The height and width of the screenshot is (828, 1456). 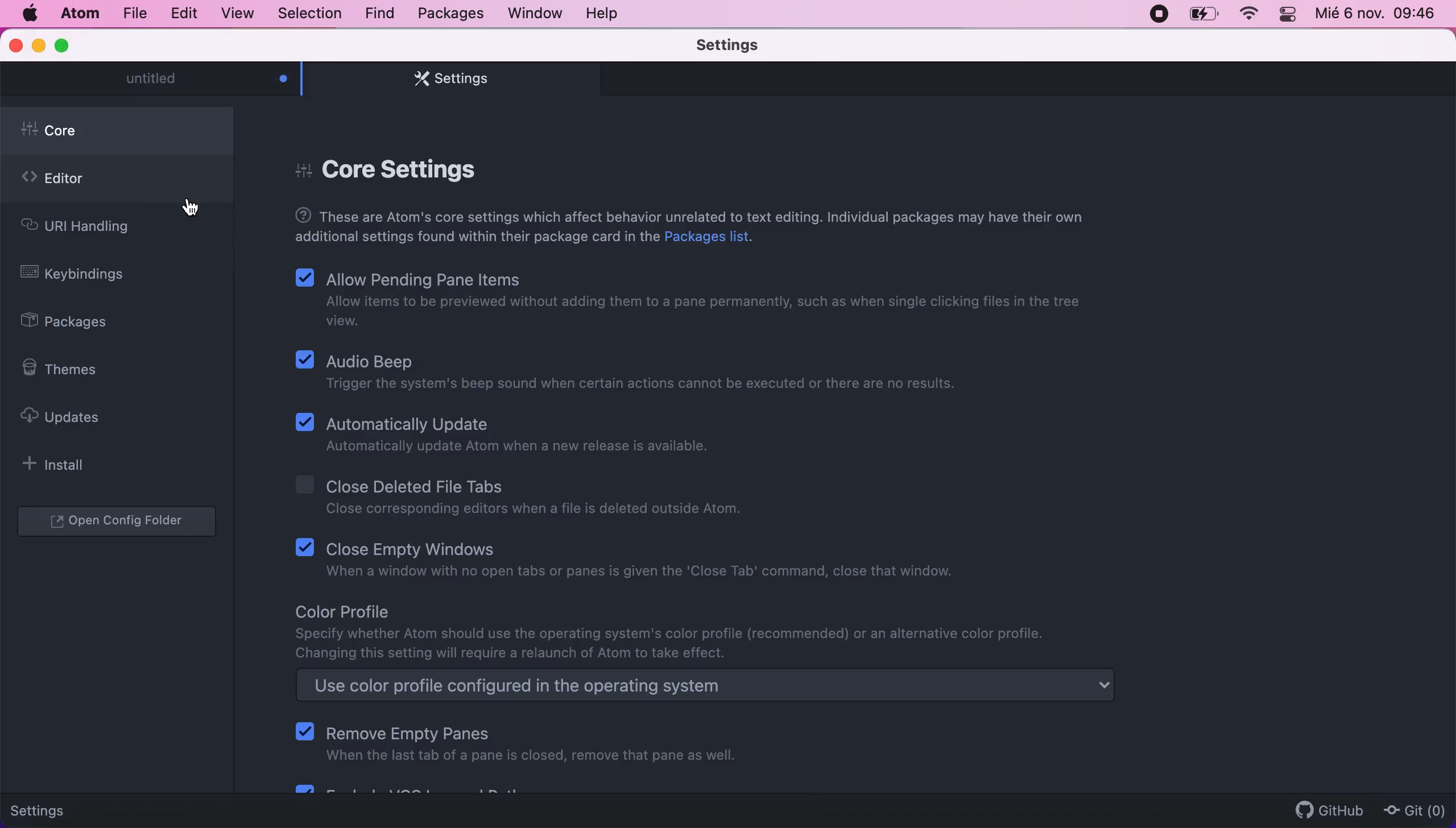 I want to click on keybindings, so click(x=78, y=272).